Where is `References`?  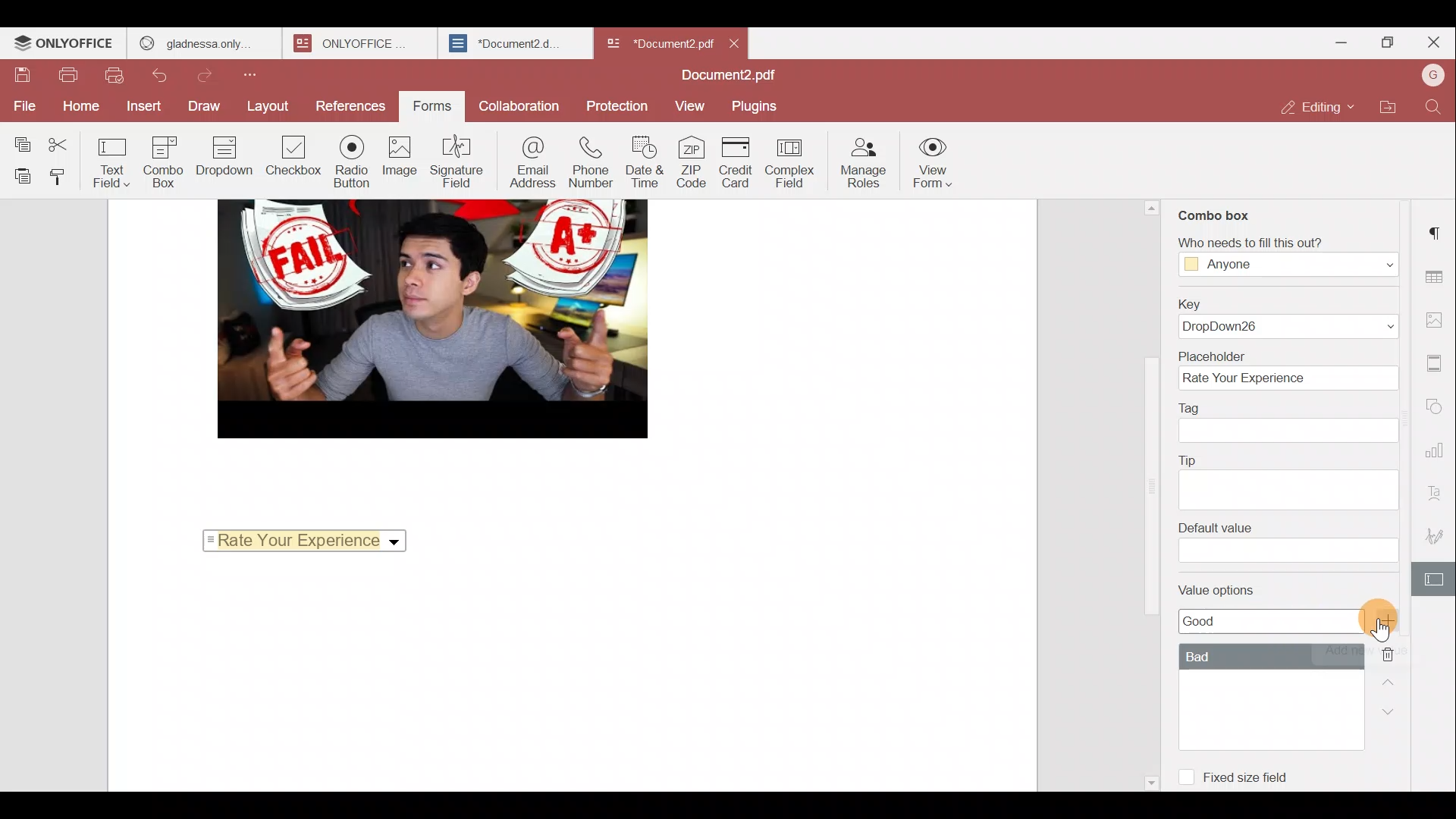 References is located at coordinates (347, 104).